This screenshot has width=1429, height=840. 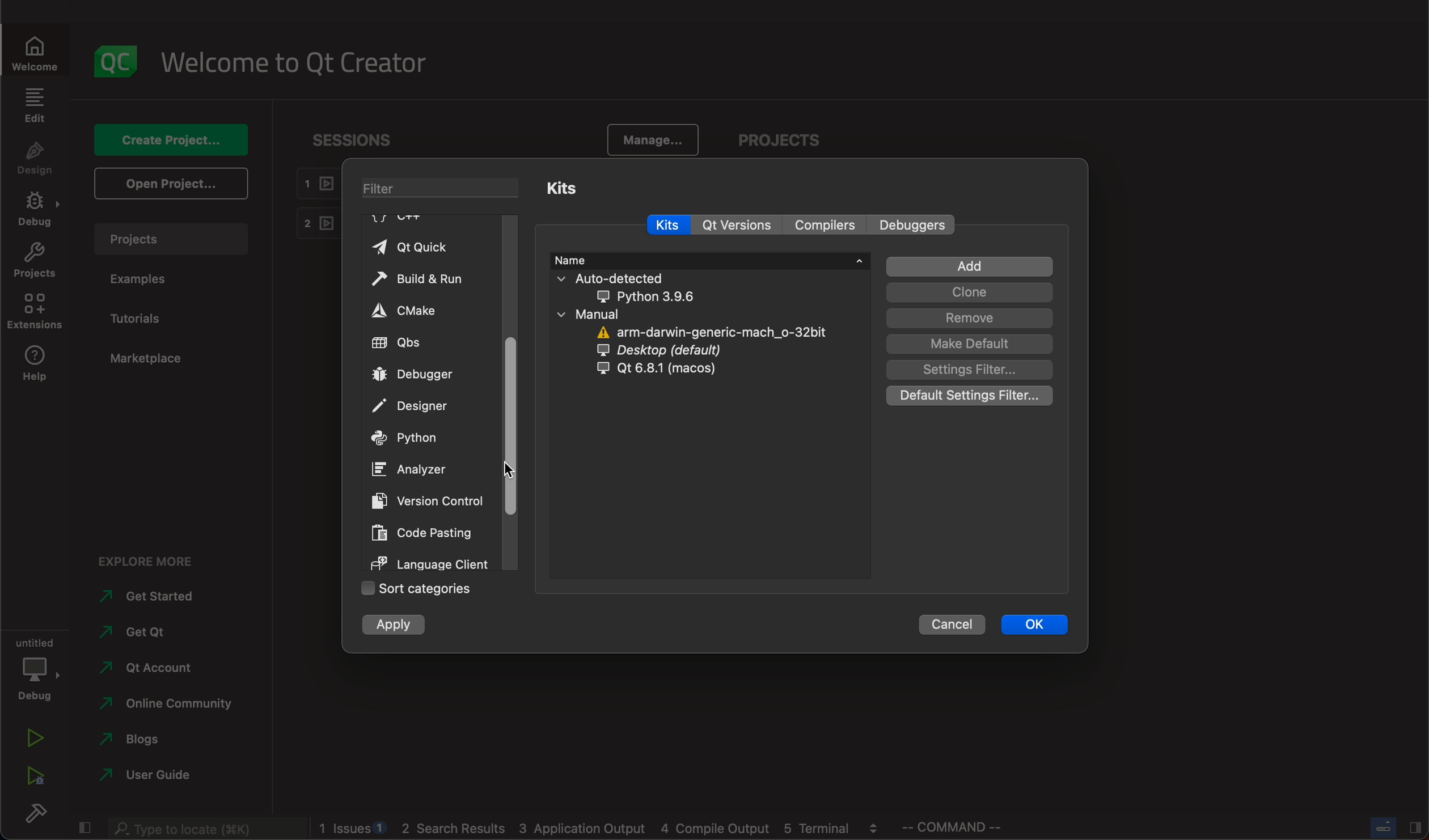 What do you see at coordinates (706, 332) in the screenshot?
I see `arm darwin` at bounding box center [706, 332].